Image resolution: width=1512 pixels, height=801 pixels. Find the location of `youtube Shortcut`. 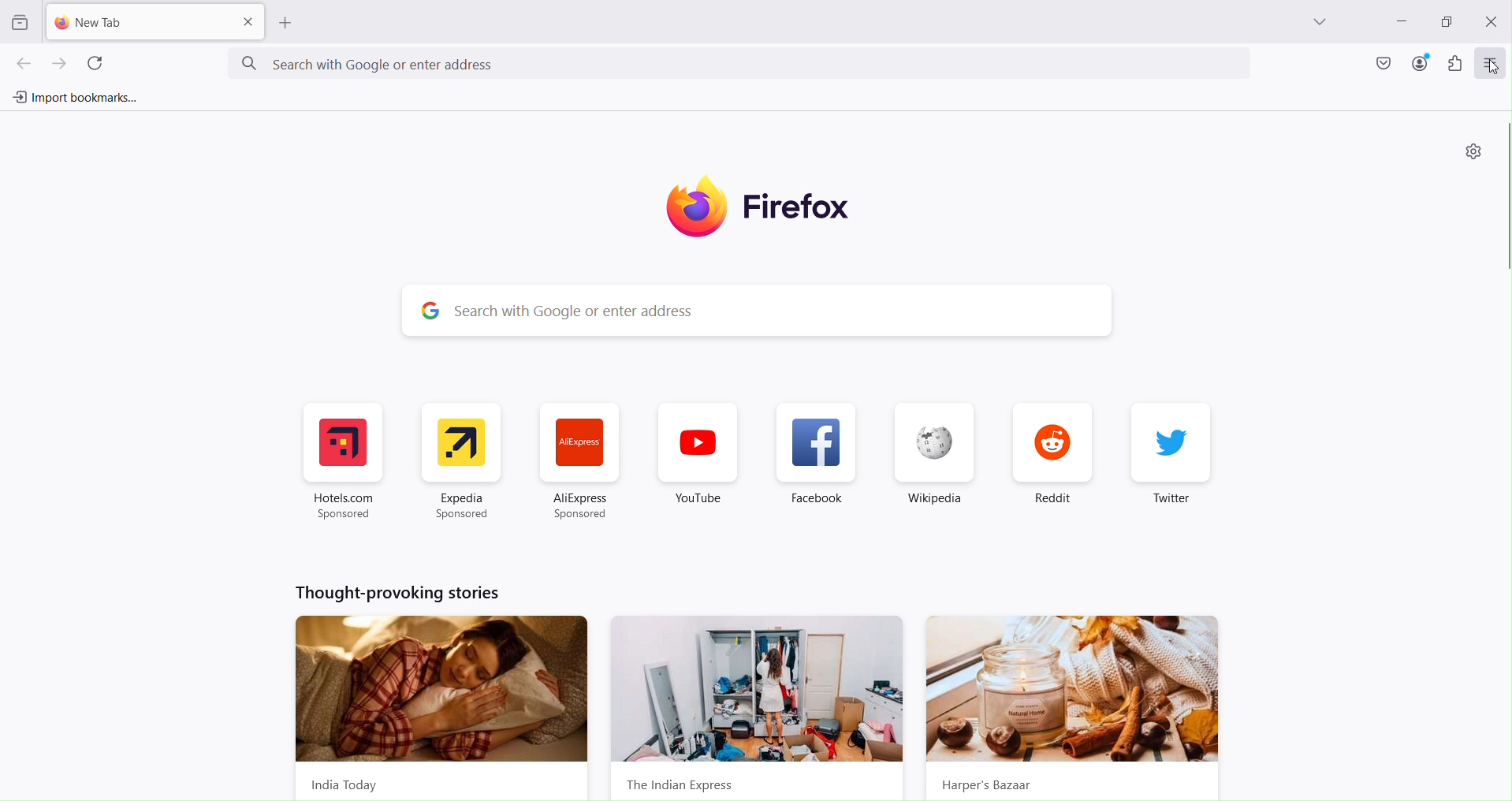

youtube Shortcut is located at coordinates (698, 462).